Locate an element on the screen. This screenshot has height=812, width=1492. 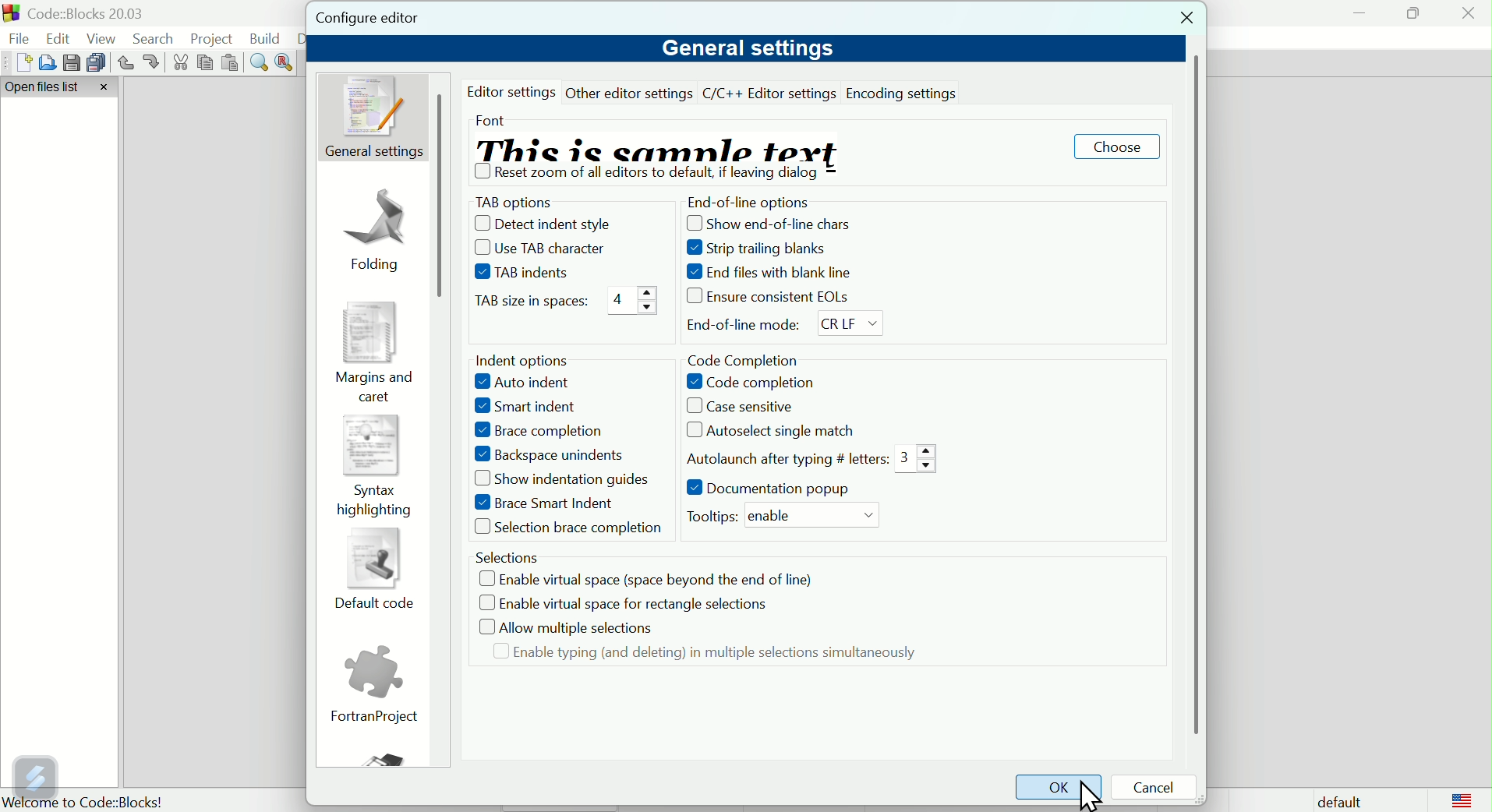
show end-of-line chars is located at coordinates (774, 224).